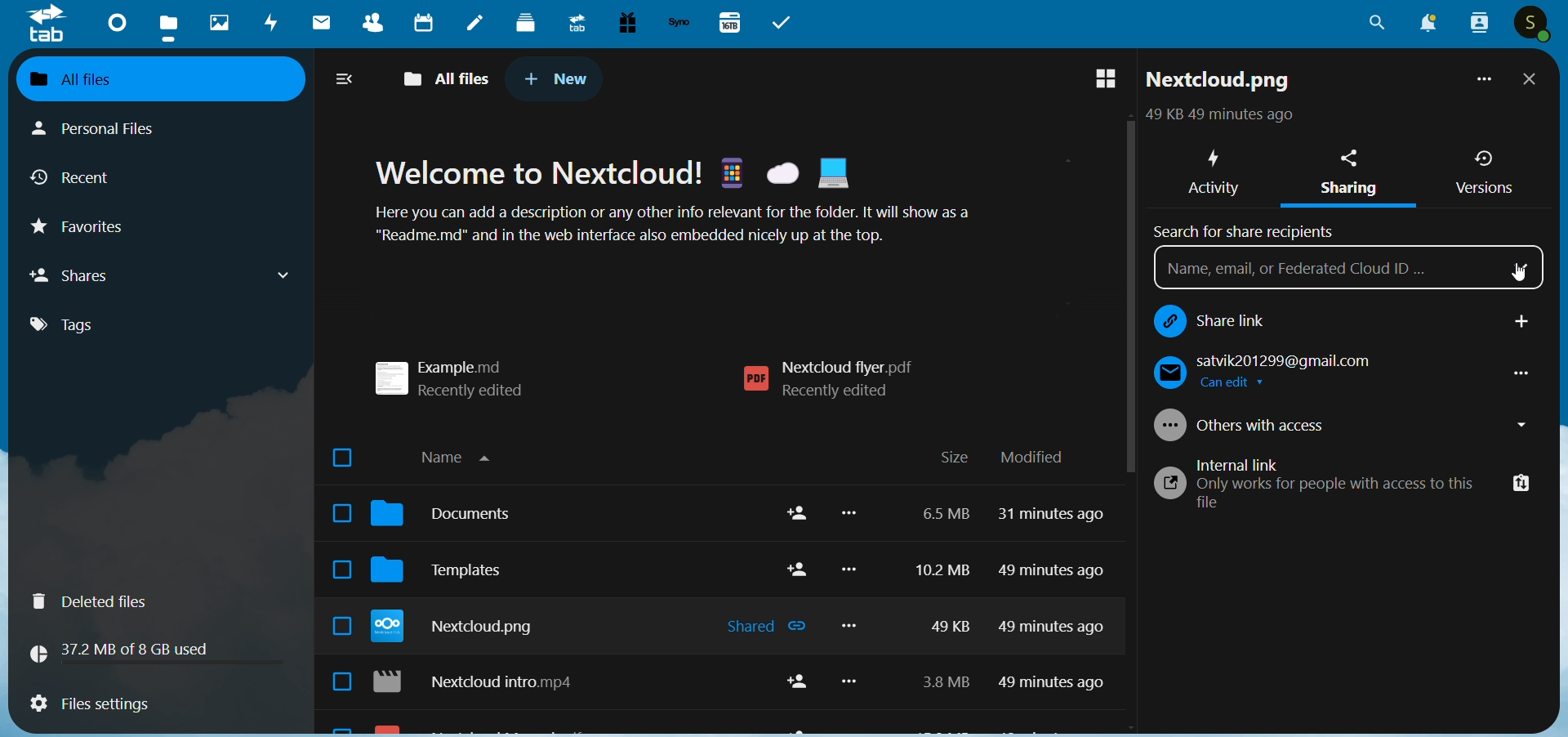 The height and width of the screenshot is (737, 1568). Describe the element at coordinates (78, 181) in the screenshot. I see `recent` at that location.